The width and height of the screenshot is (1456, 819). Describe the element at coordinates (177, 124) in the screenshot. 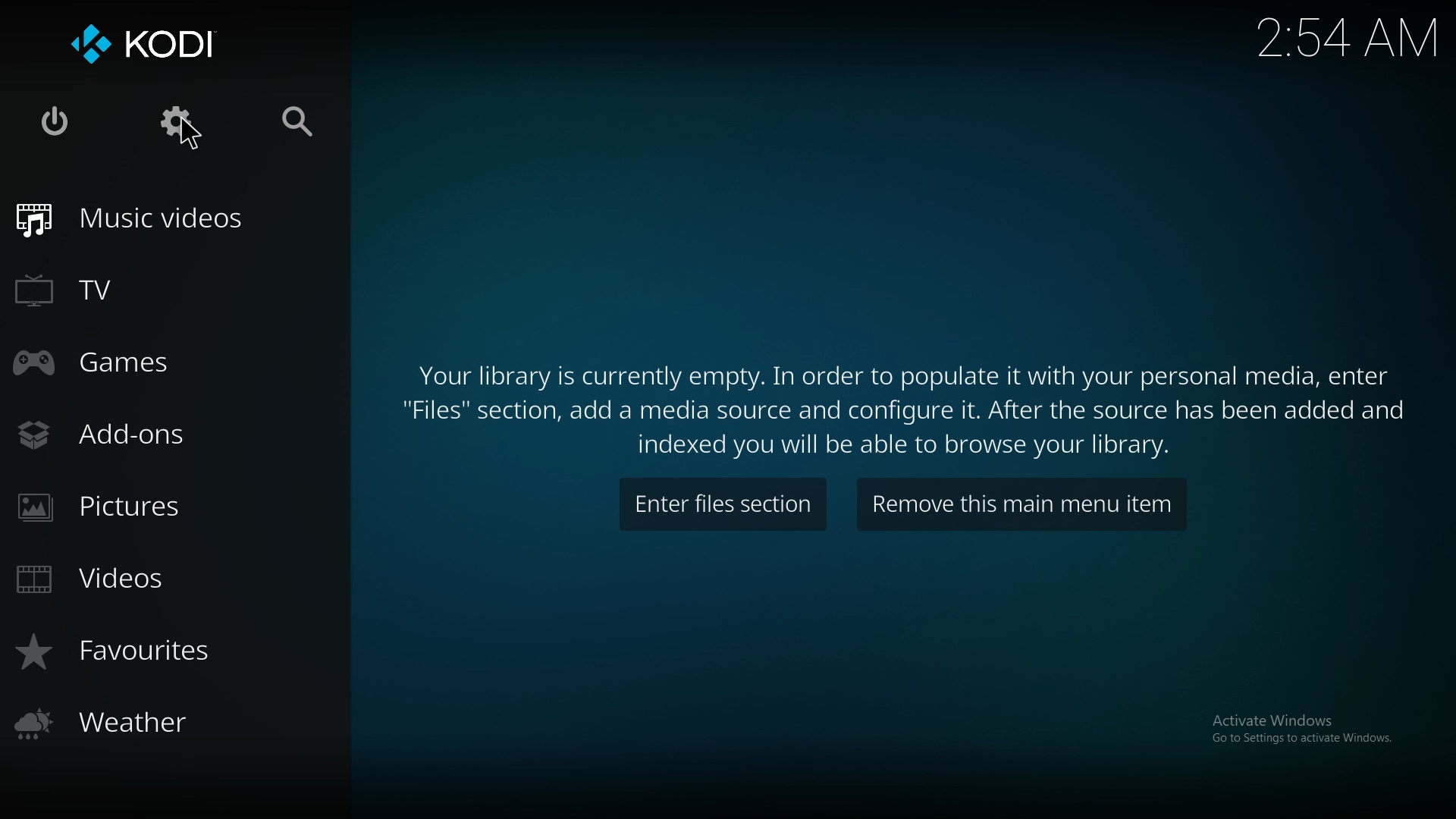

I see `settings` at that location.